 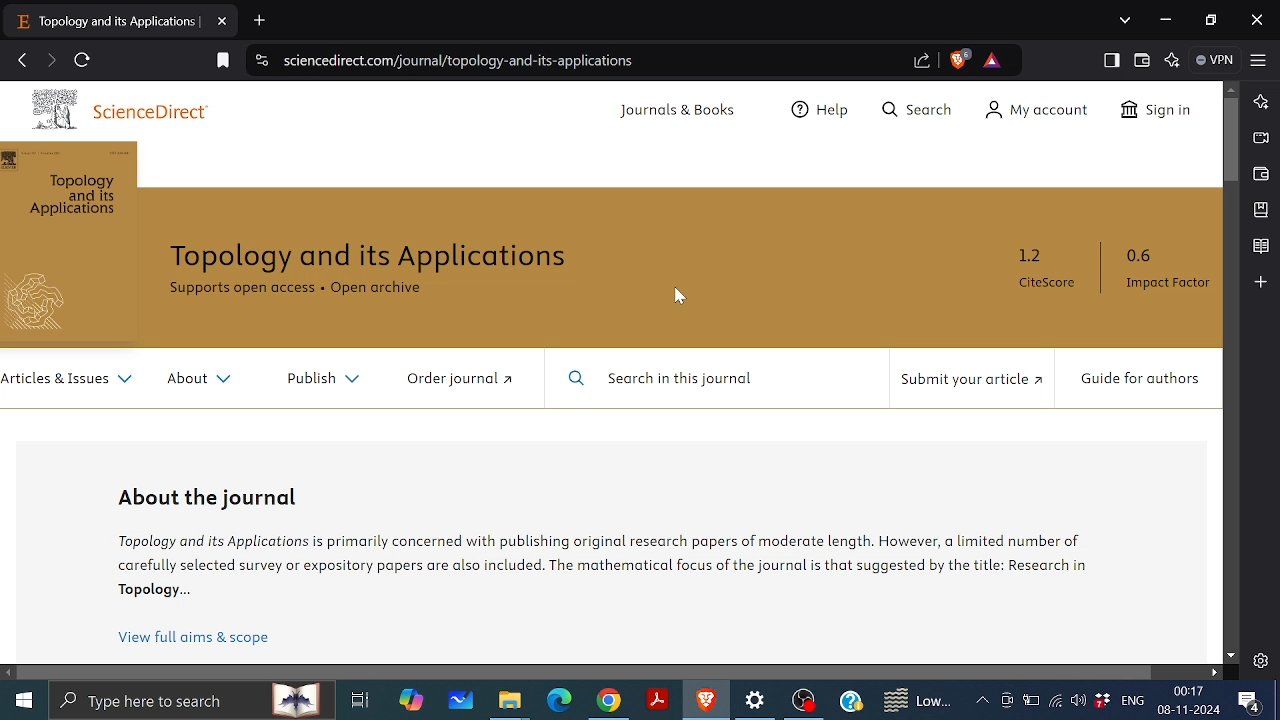 What do you see at coordinates (1260, 247) in the screenshot?
I see `Reading list` at bounding box center [1260, 247].